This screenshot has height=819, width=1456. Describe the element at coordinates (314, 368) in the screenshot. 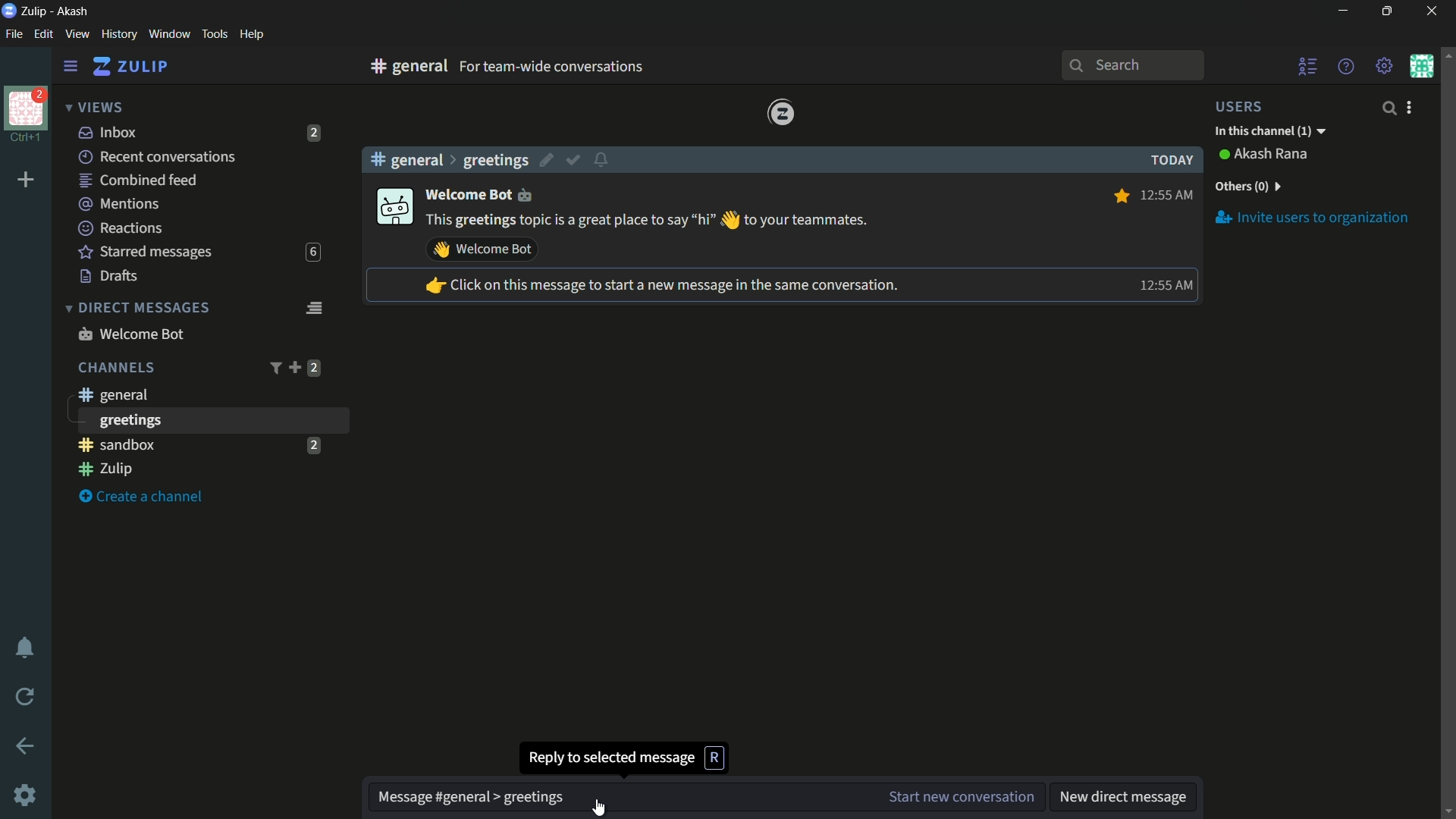

I see `2 unread messages` at that location.